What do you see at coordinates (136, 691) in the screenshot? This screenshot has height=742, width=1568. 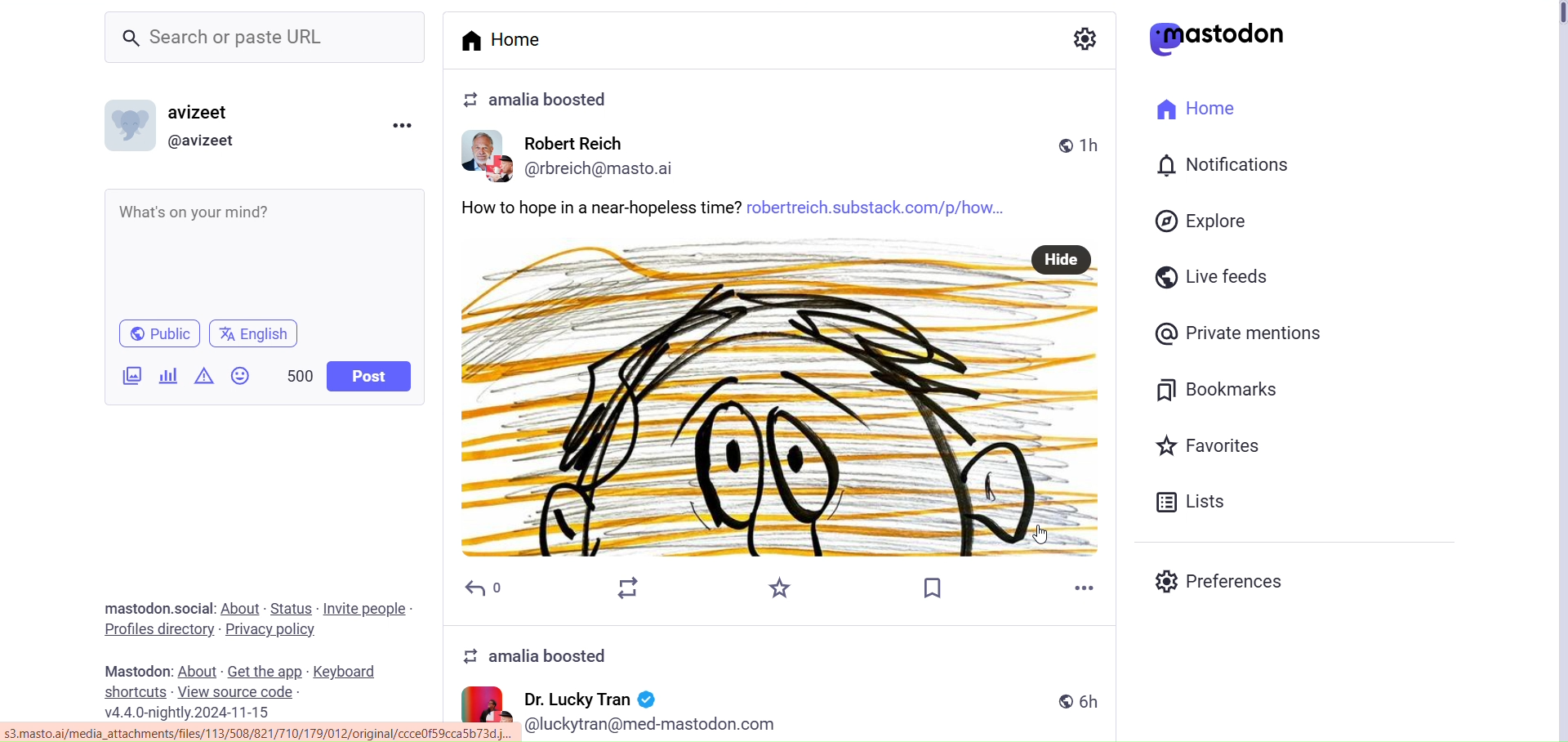 I see `Shortcuts` at bounding box center [136, 691].